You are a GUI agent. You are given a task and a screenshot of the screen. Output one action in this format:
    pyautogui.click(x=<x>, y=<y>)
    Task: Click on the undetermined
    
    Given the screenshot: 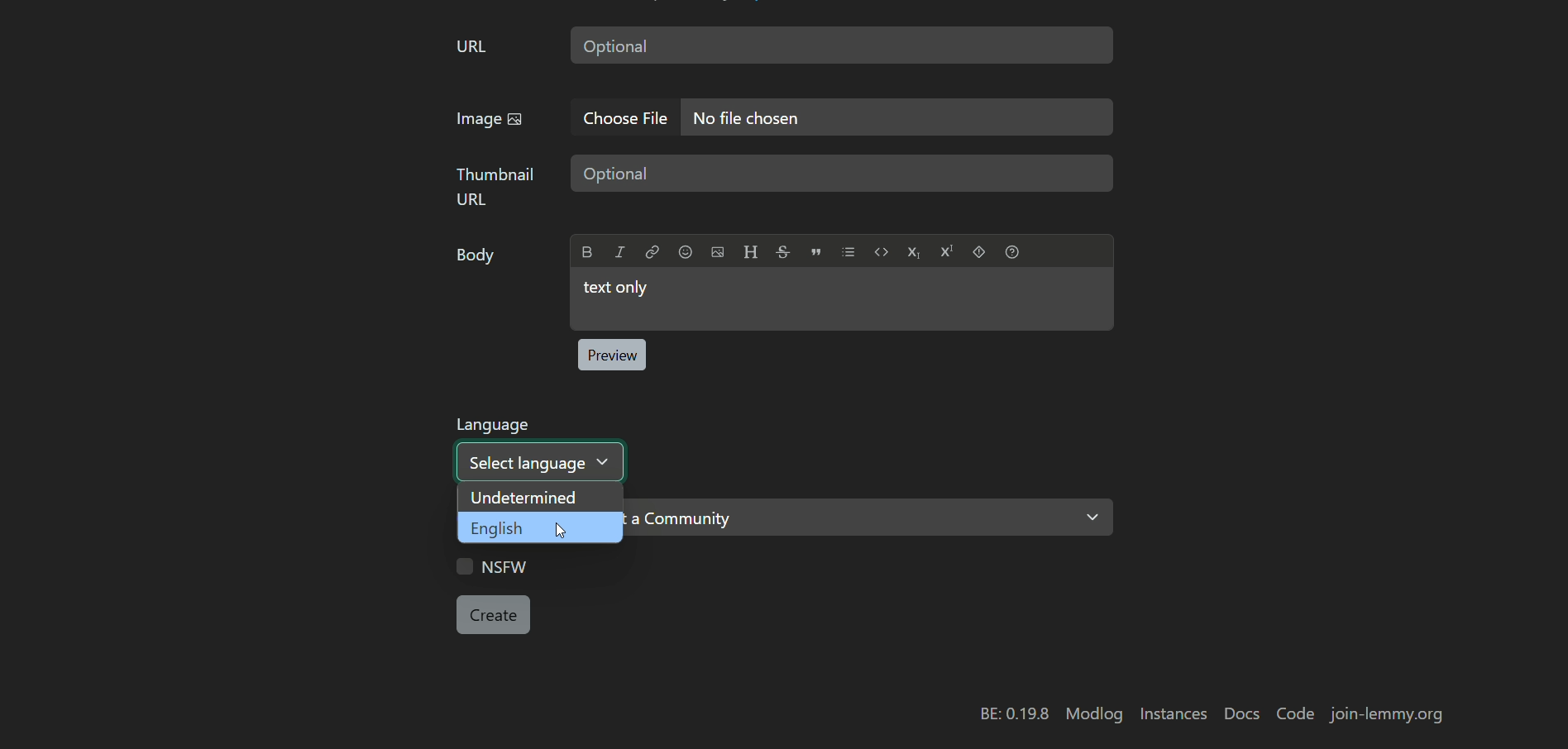 What is the action you would take?
    pyautogui.click(x=540, y=498)
    